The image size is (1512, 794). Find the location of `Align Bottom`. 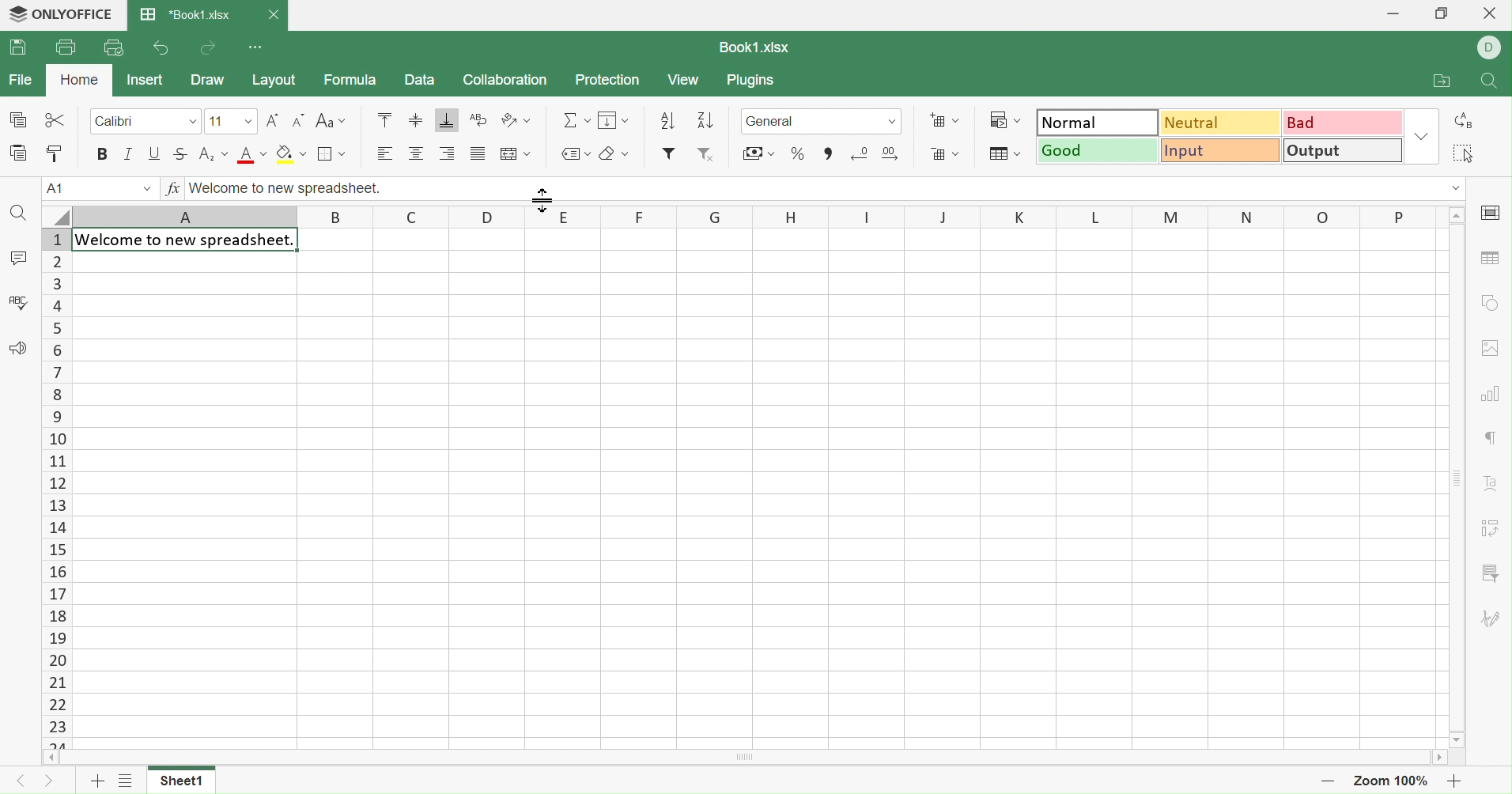

Align Bottom is located at coordinates (446, 121).